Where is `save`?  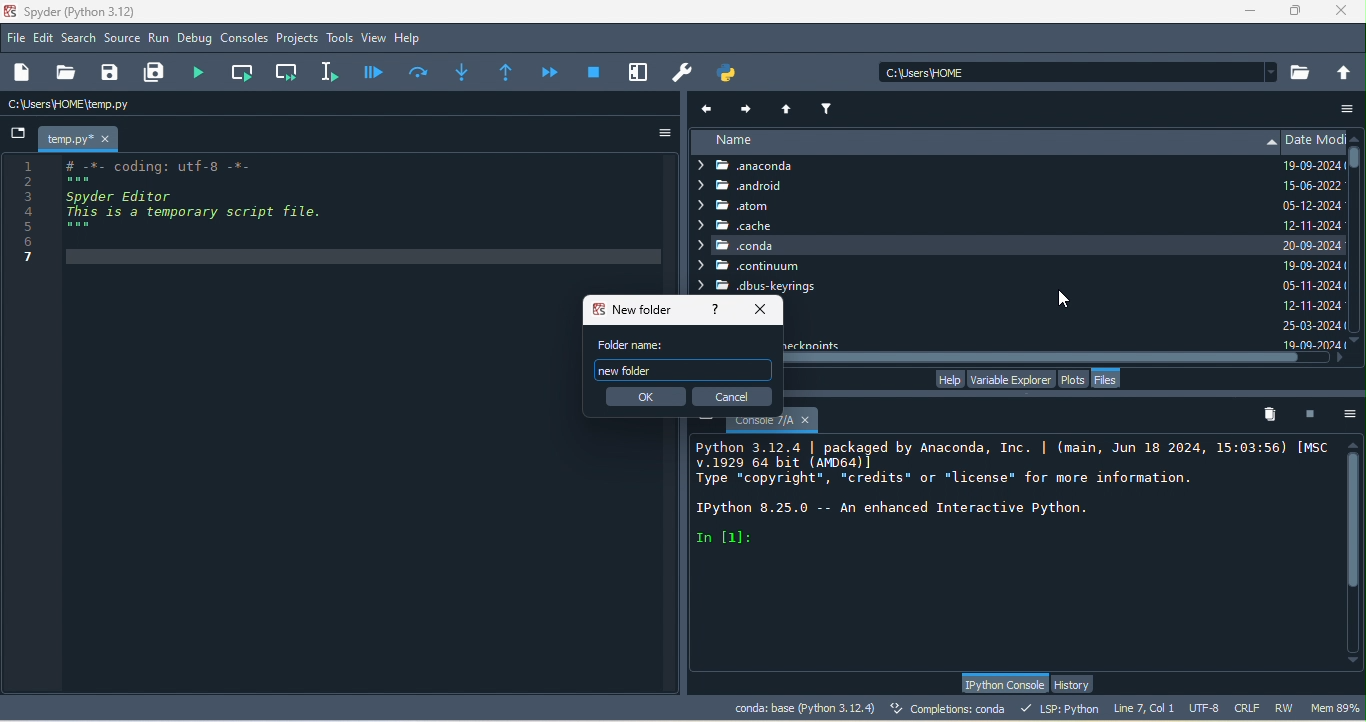 save is located at coordinates (111, 73).